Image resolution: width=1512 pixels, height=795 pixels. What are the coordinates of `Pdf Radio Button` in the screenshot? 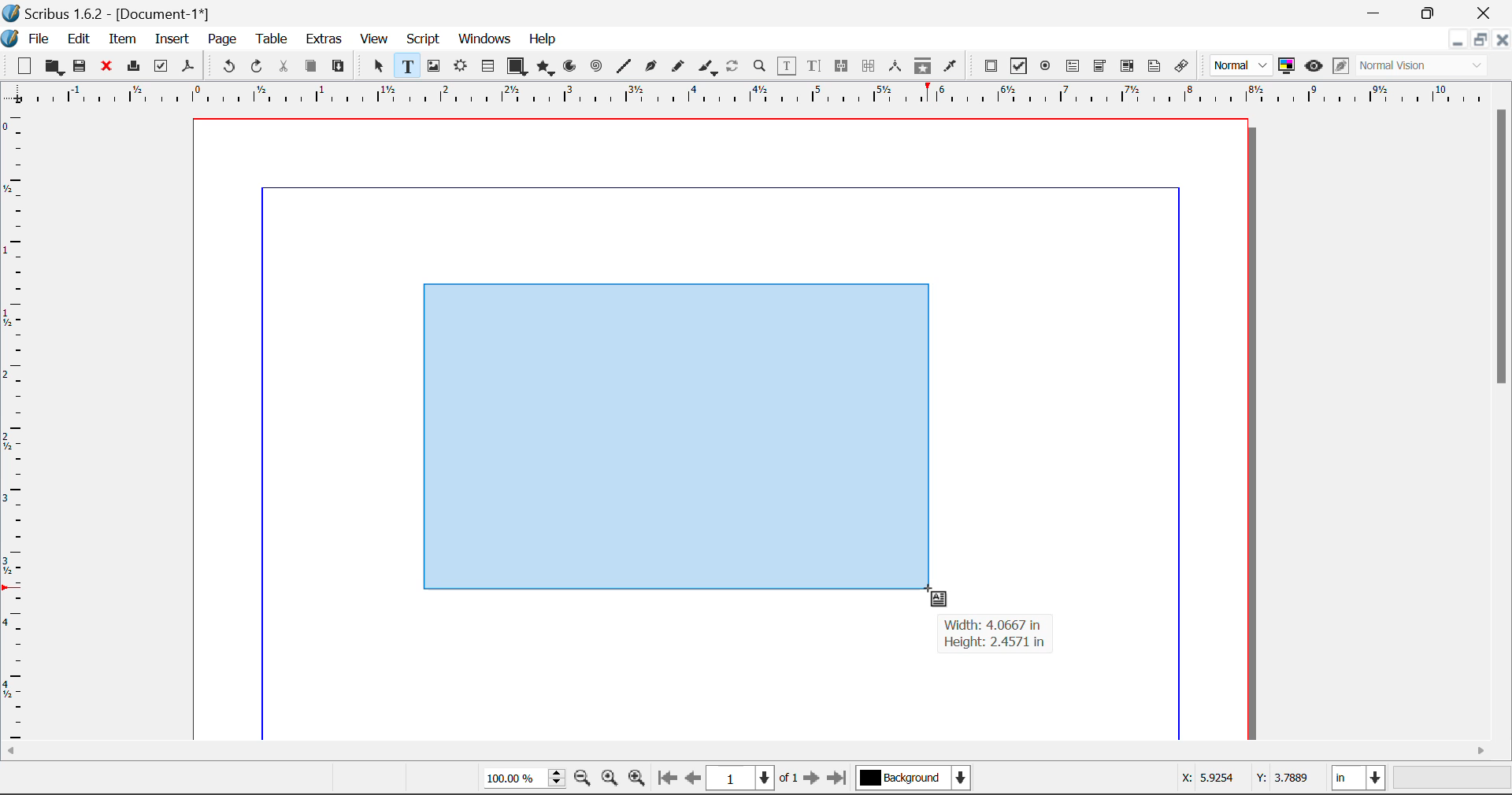 It's located at (1045, 67).